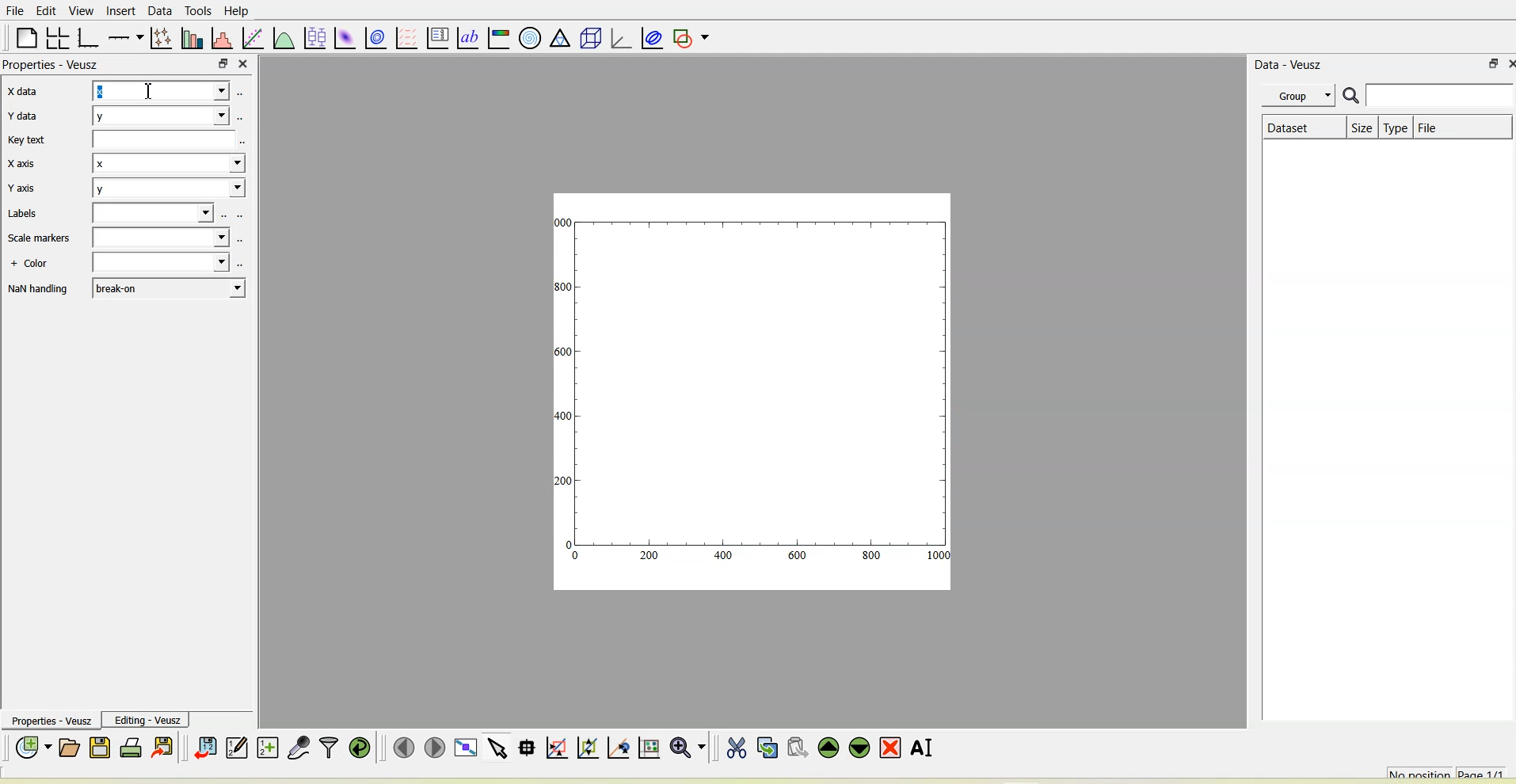 Image resolution: width=1516 pixels, height=784 pixels. Describe the element at coordinates (1506, 64) in the screenshot. I see `close` at that location.